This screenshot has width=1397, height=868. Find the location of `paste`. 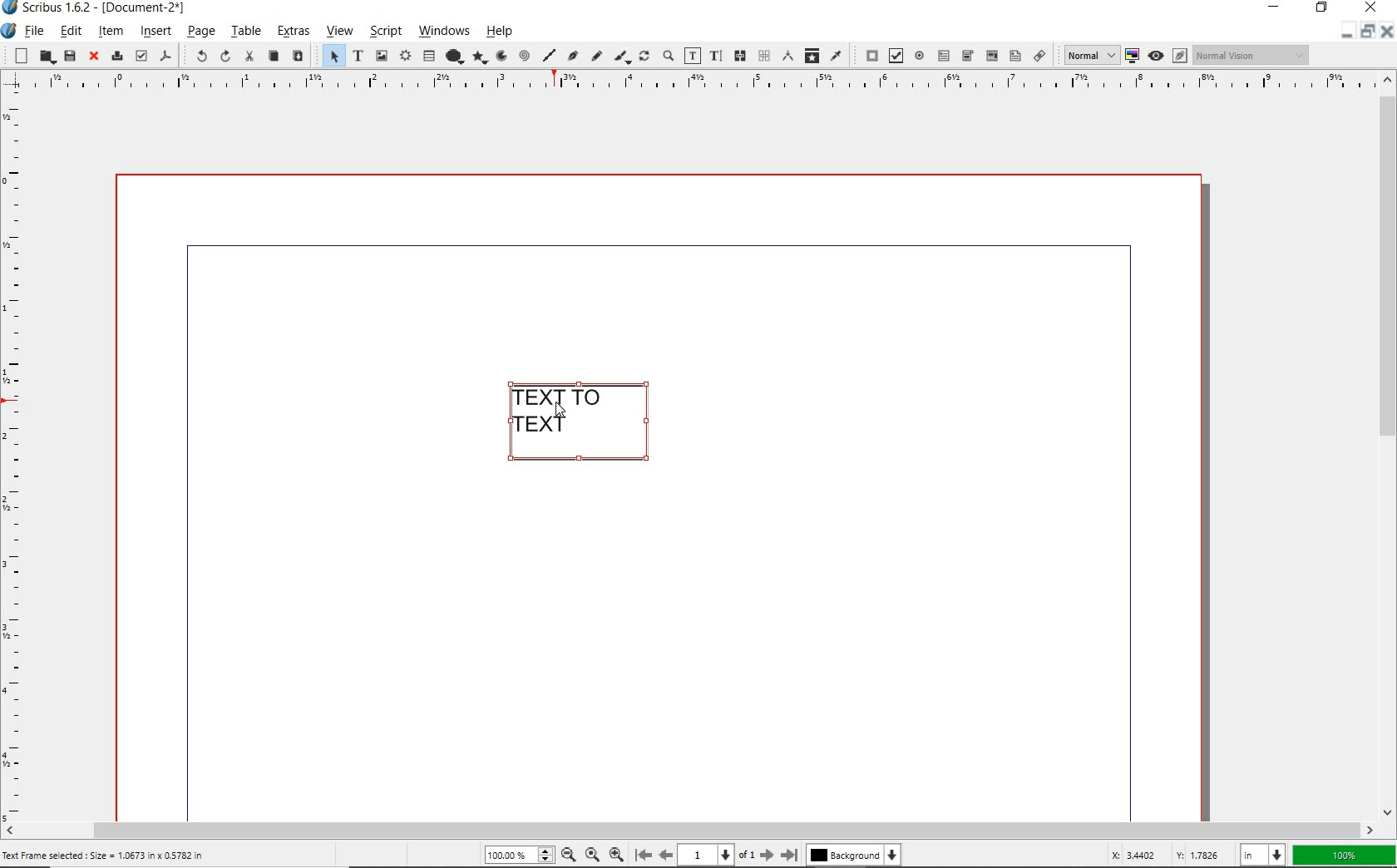

paste is located at coordinates (298, 56).